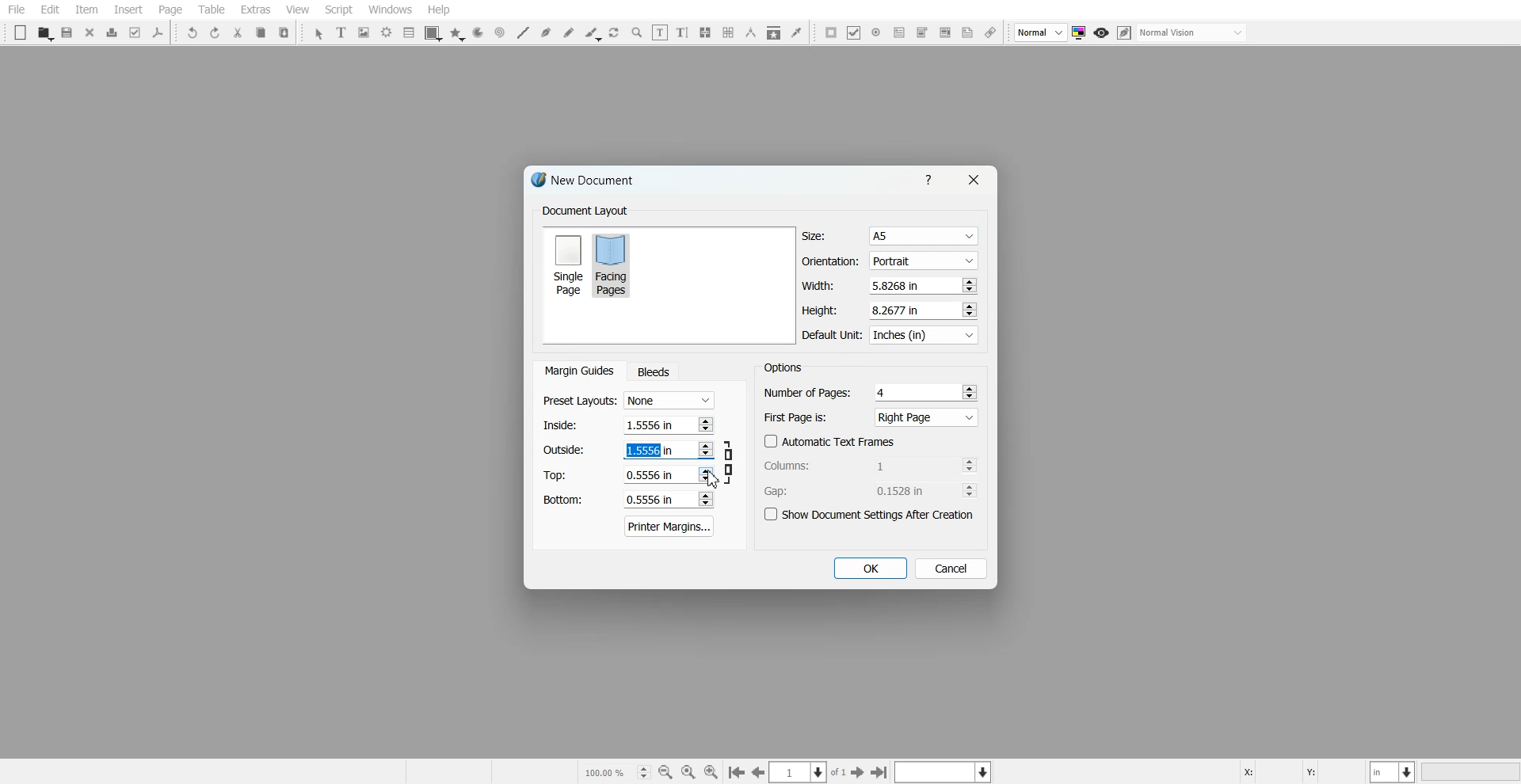  What do you see at coordinates (751, 32) in the screenshot?
I see `Measurement` at bounding box center [751, 32].